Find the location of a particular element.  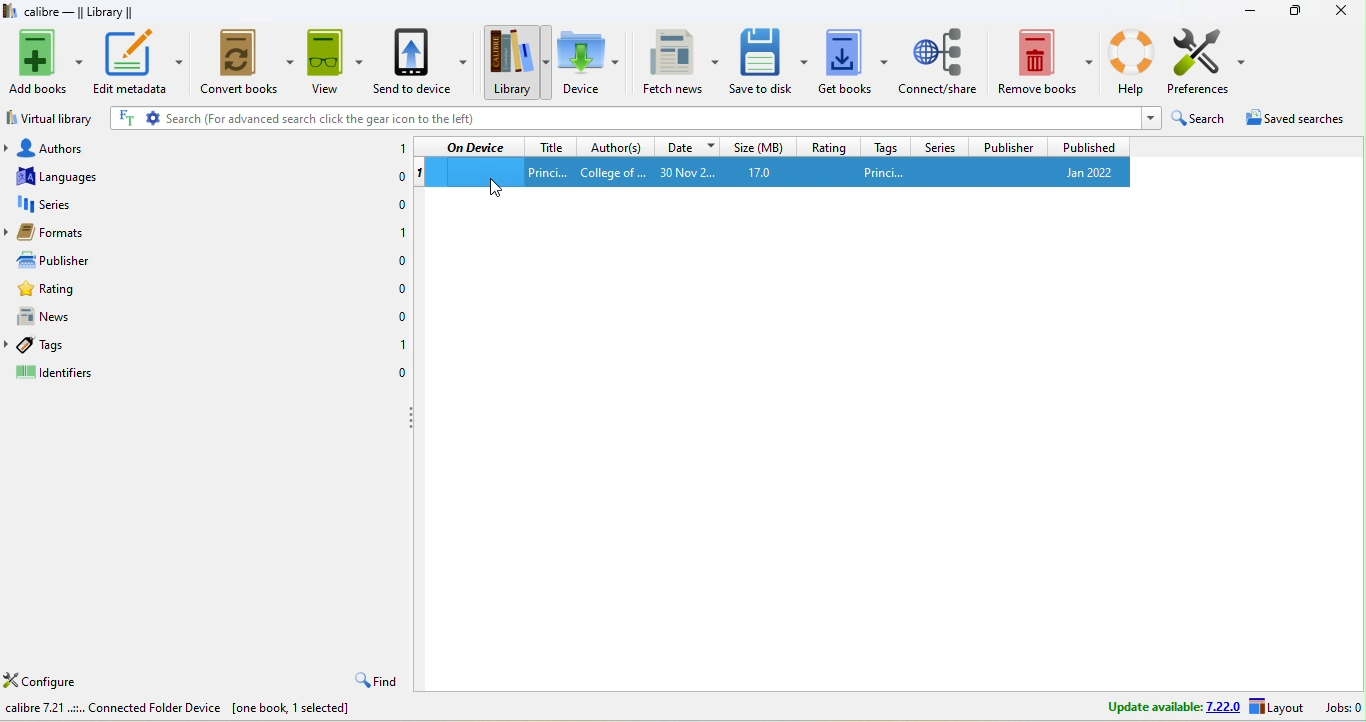

rating is located at coordinates (61, 290).